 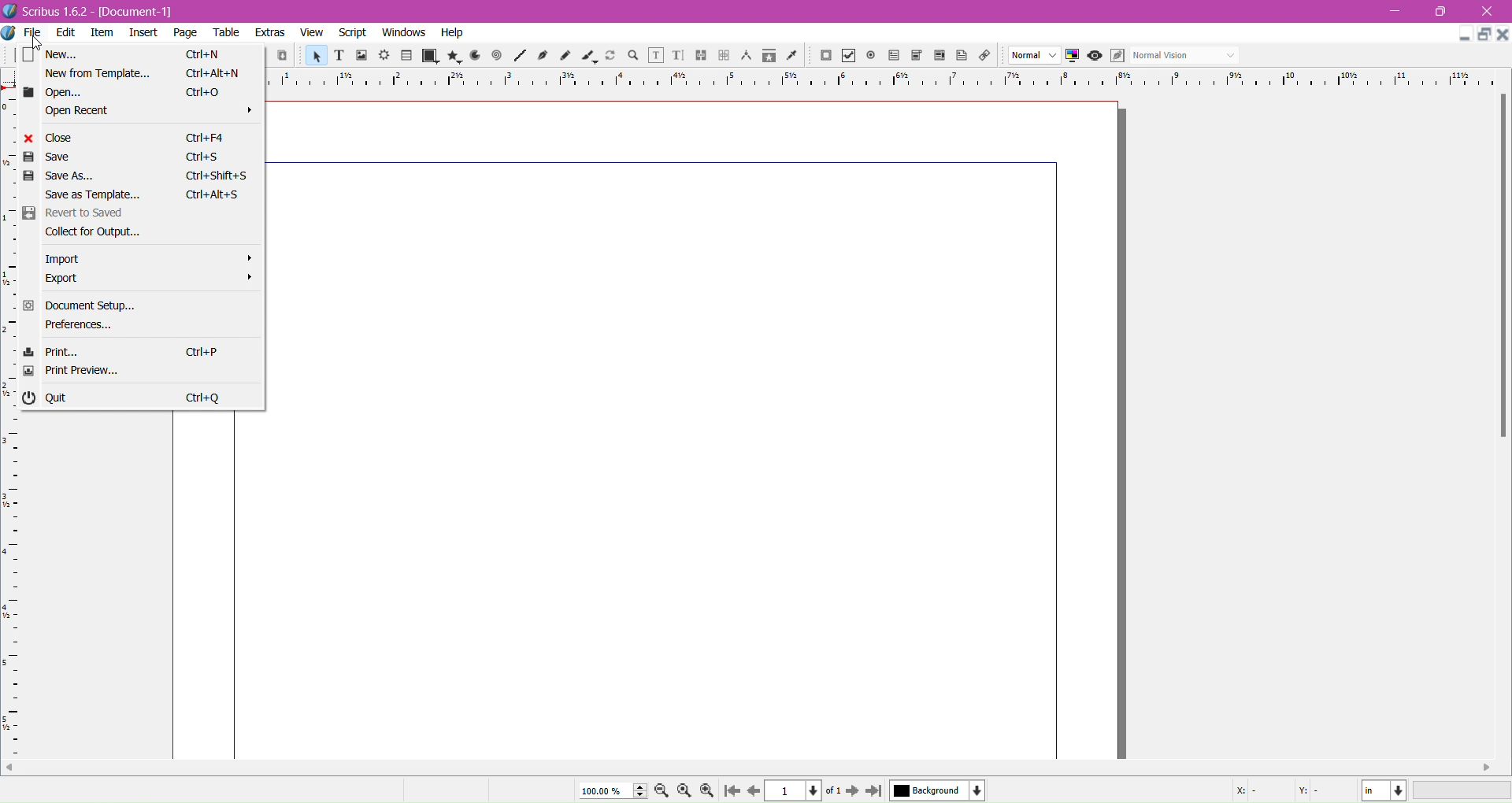 I want to click on Freehand Line, so click(x=565, y=57).